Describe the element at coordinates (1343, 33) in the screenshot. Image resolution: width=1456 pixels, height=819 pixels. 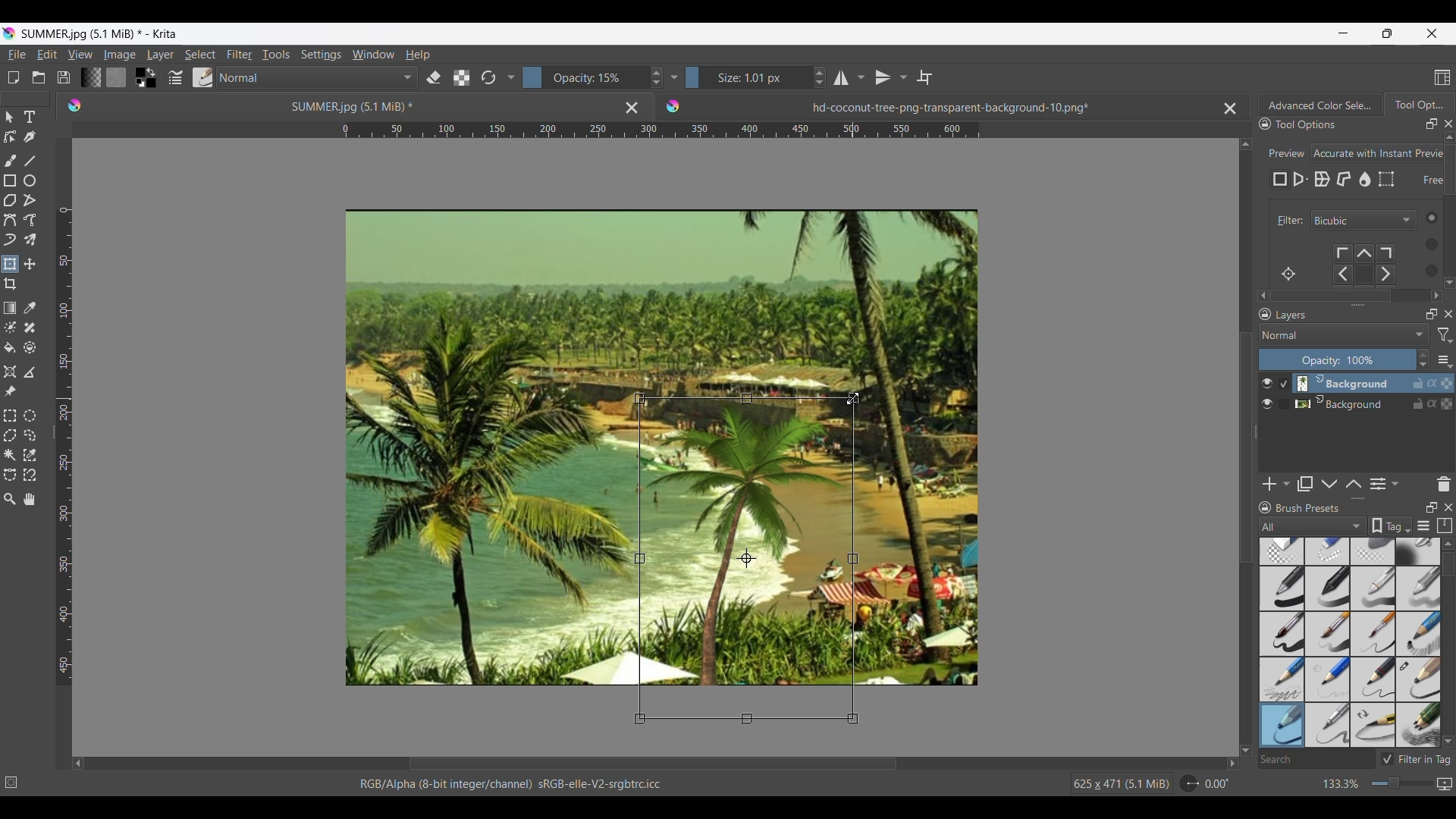
I see `Minimize` at that location.